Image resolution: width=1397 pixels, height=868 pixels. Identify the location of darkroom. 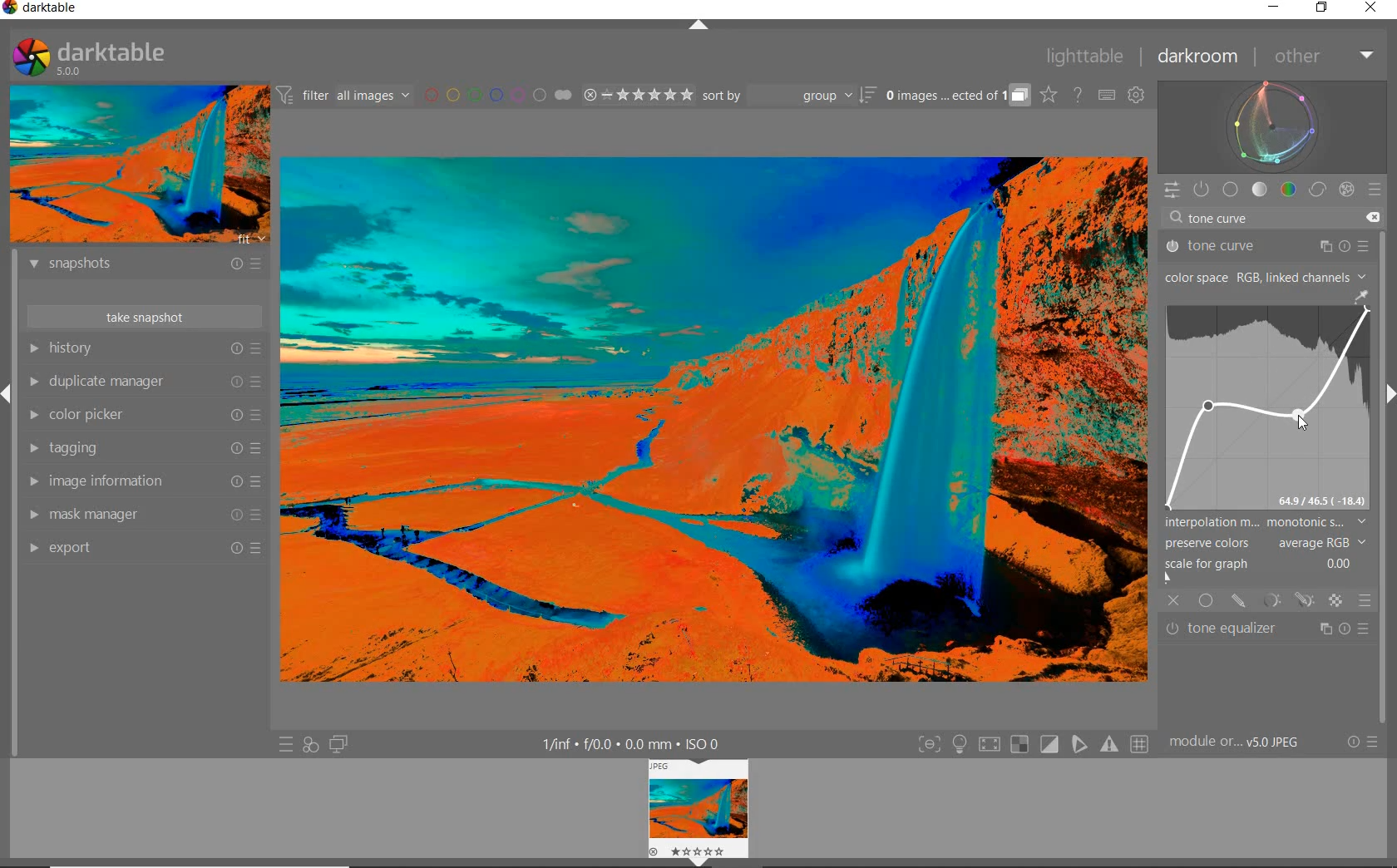
(1198, 57).